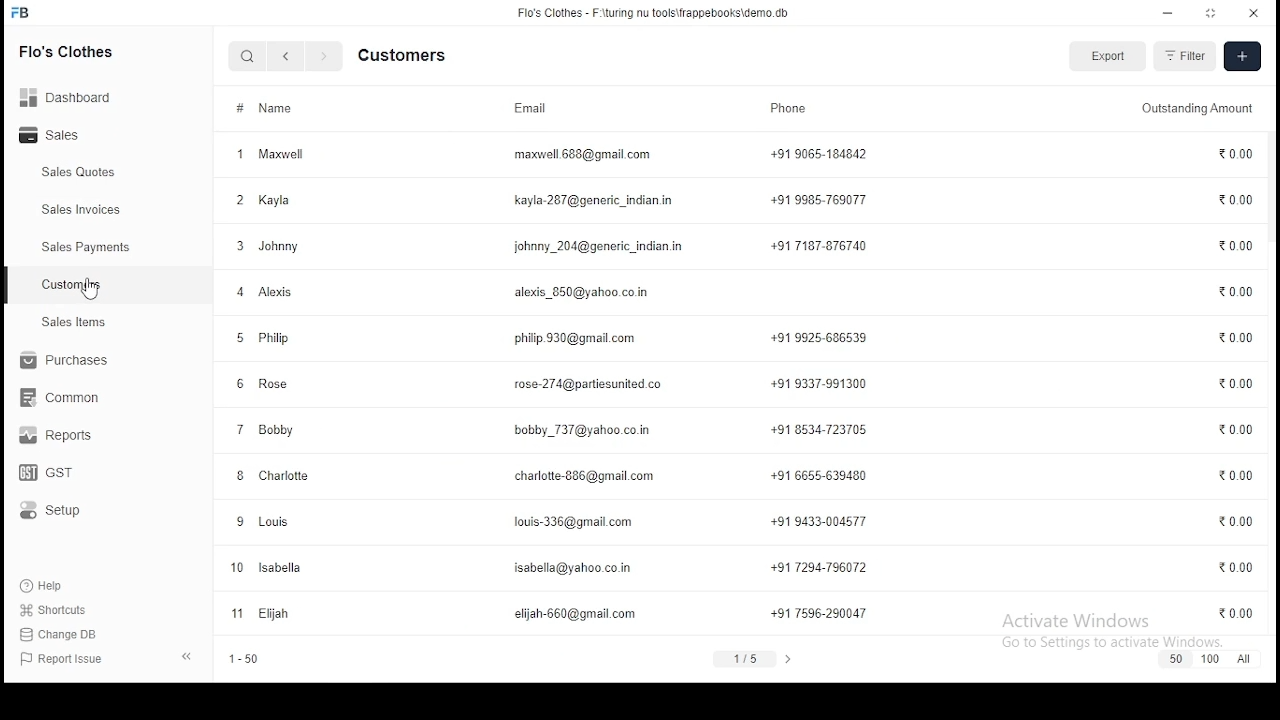 The image size is (1280, 720). I want to click on search, so click(244, 55).